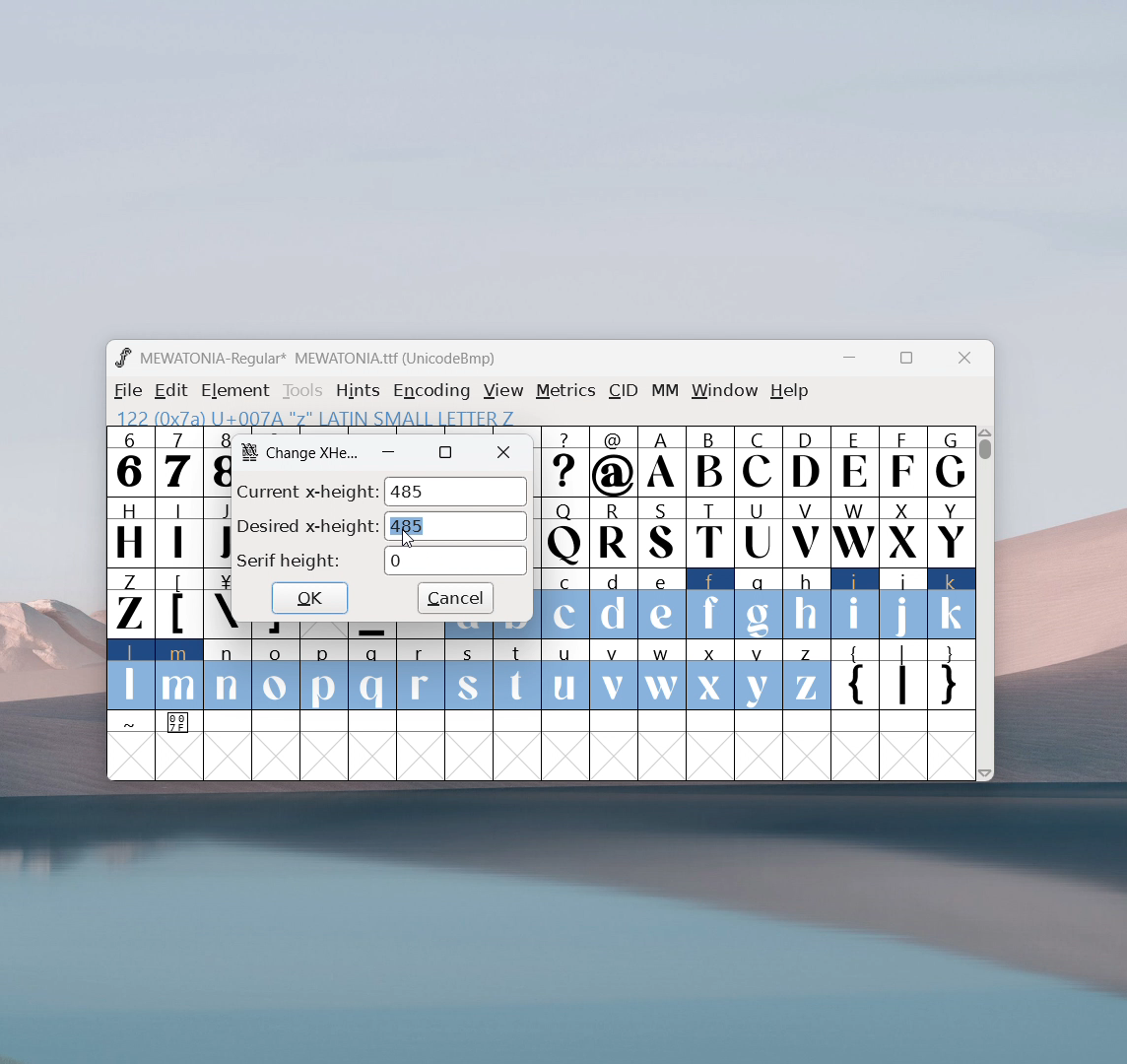 The height and width of the screenshot is (1064, 1127). I want to click on window, so click(725, 391).